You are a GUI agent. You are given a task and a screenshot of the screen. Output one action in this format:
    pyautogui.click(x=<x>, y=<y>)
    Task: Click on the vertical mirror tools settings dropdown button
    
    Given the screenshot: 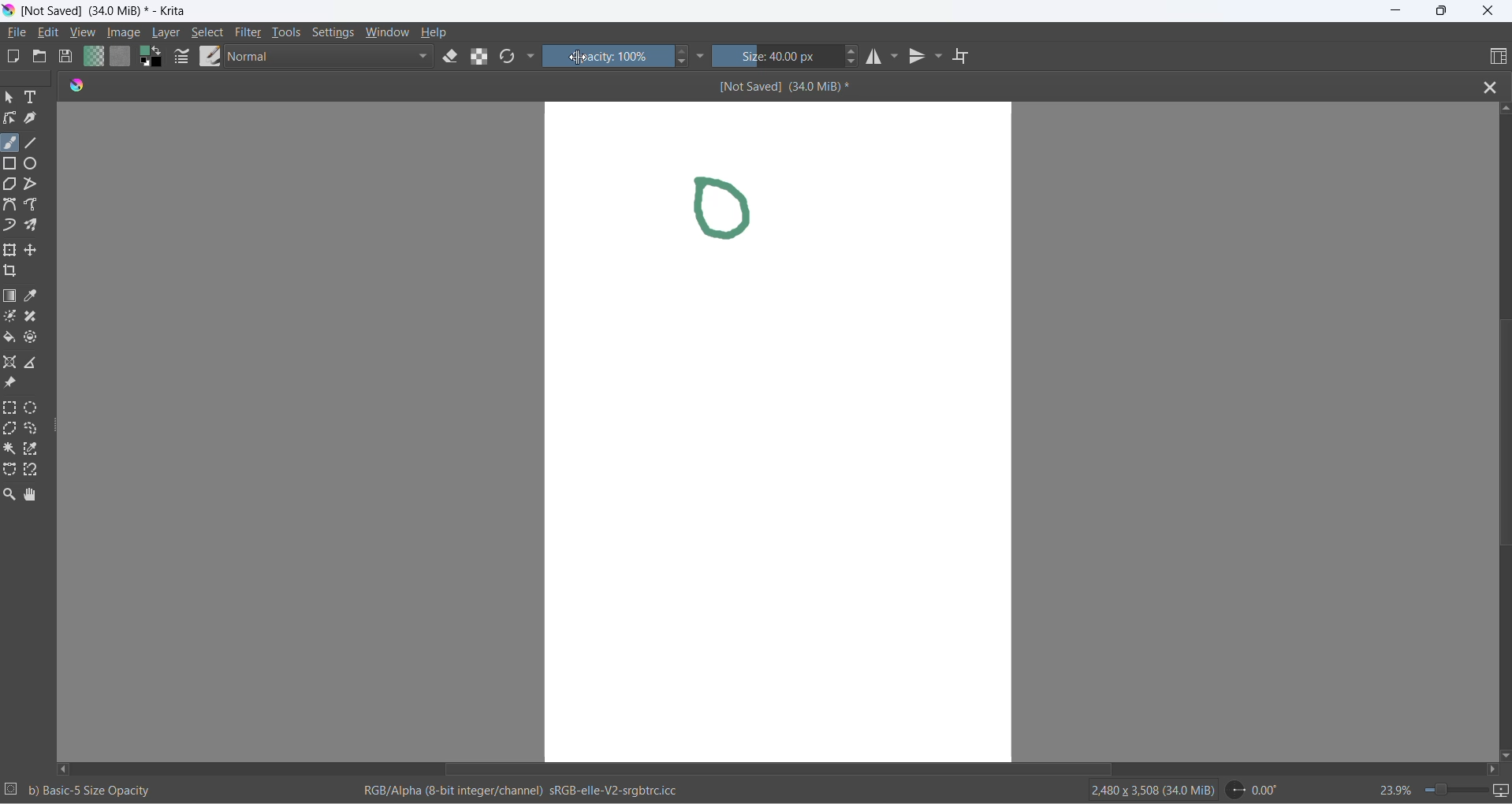 What is the action you would take?
    pyautogui.click(x=940, y=58)
    